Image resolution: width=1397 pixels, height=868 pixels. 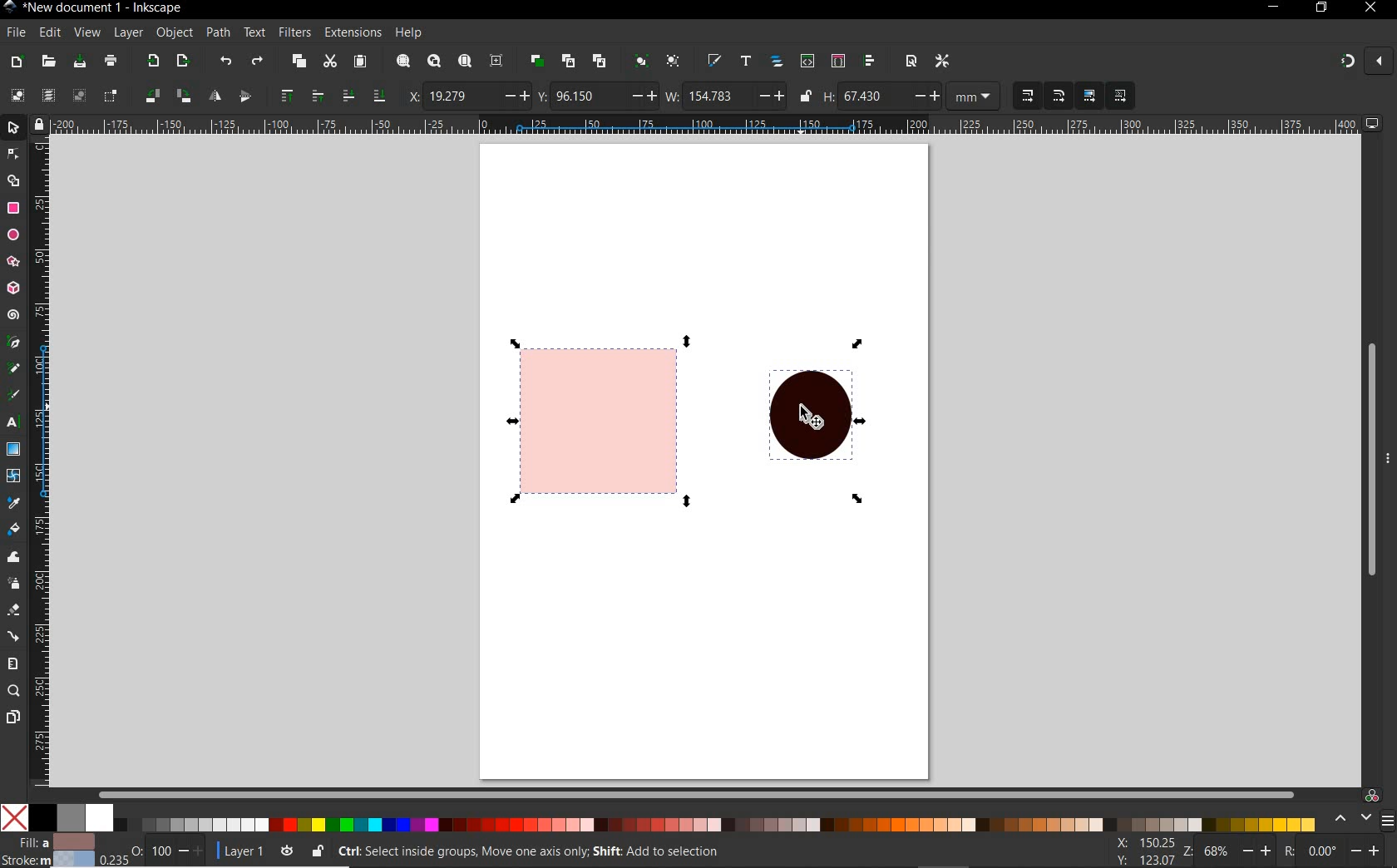 What do you see at coordinates (255, 32) in the screenshot?
I see `text` at bounding box center [255, 32].